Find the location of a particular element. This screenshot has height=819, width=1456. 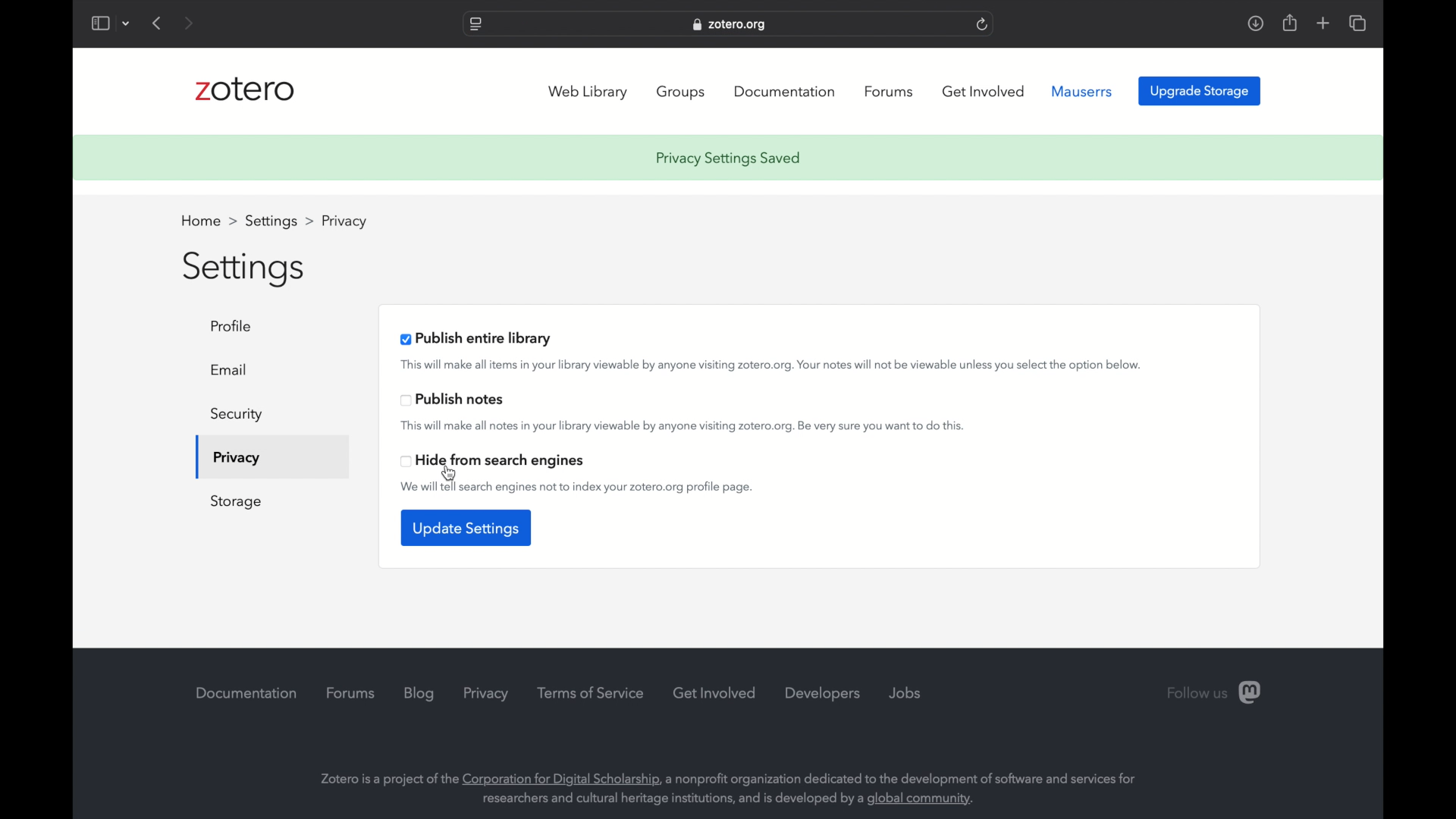

this will make all notes in your library viewable by anyone visiting zotero.org. be very sure to do this is located at coordinates (681, 425).